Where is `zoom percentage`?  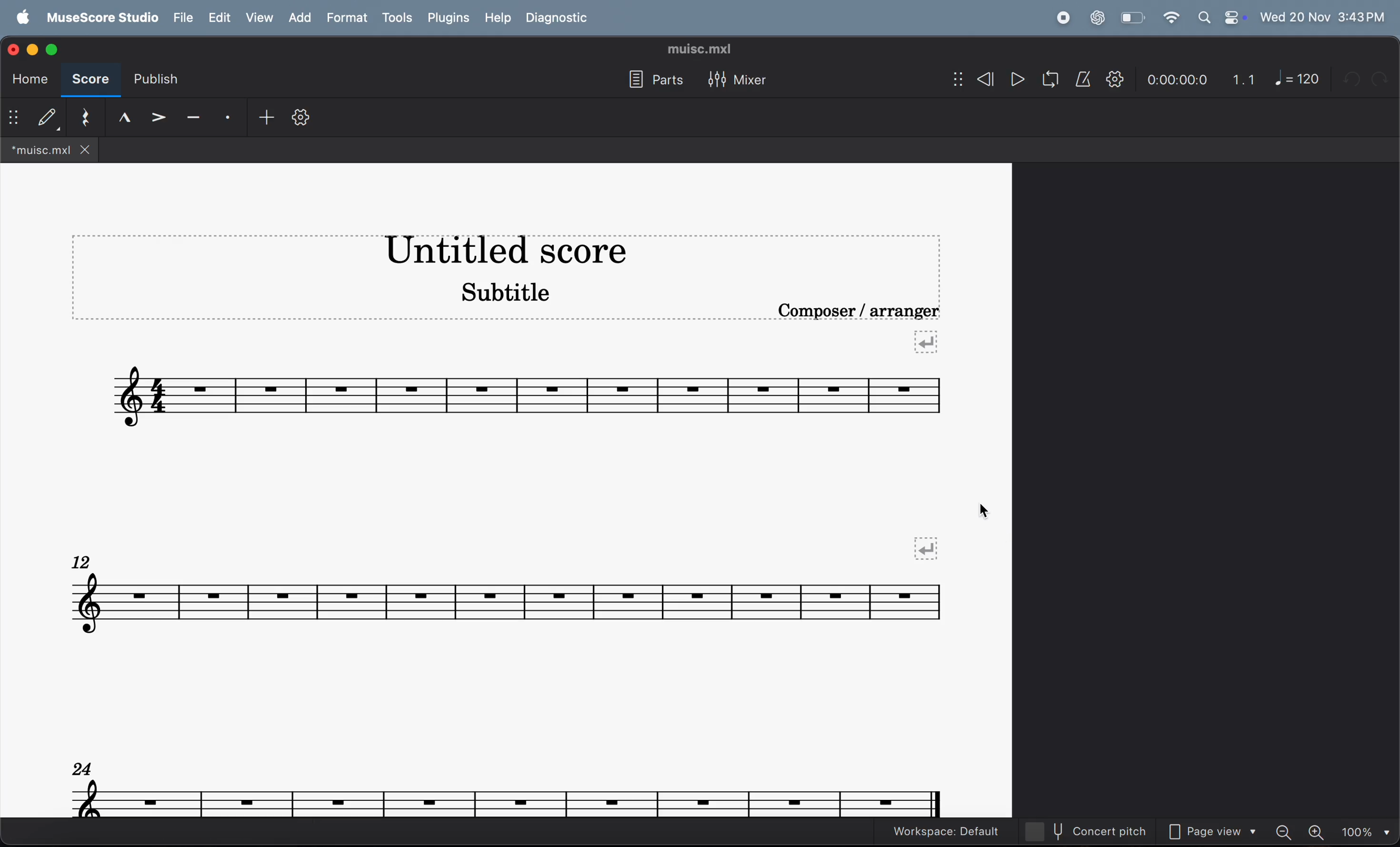
zoom percentage is located at coordinates (1364, 829).